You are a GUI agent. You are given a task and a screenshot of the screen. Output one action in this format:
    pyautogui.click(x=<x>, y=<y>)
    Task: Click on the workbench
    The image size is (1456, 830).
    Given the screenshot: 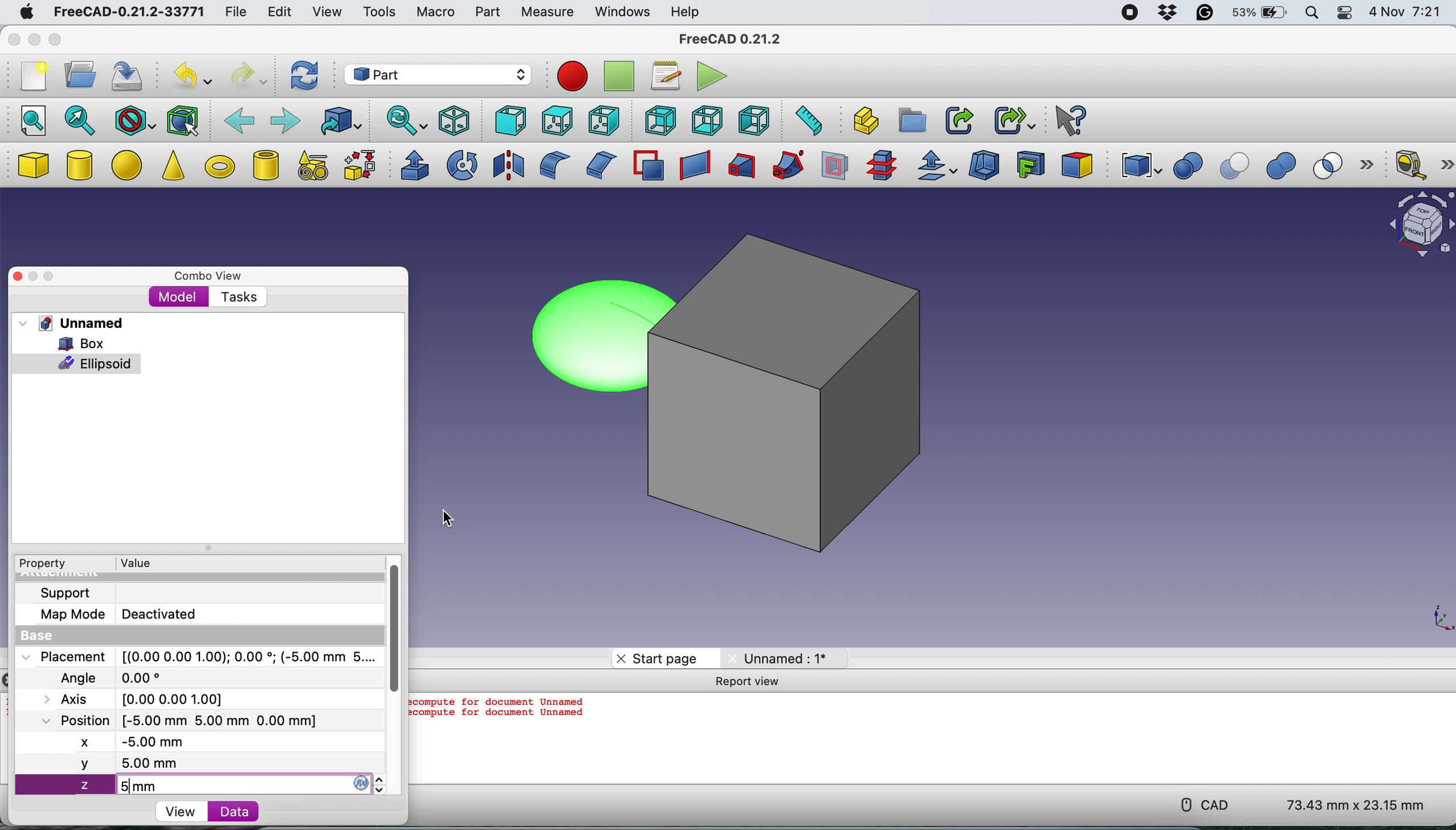 What is the action you would take?
    pyautogui.click(x=437, y=74)
    